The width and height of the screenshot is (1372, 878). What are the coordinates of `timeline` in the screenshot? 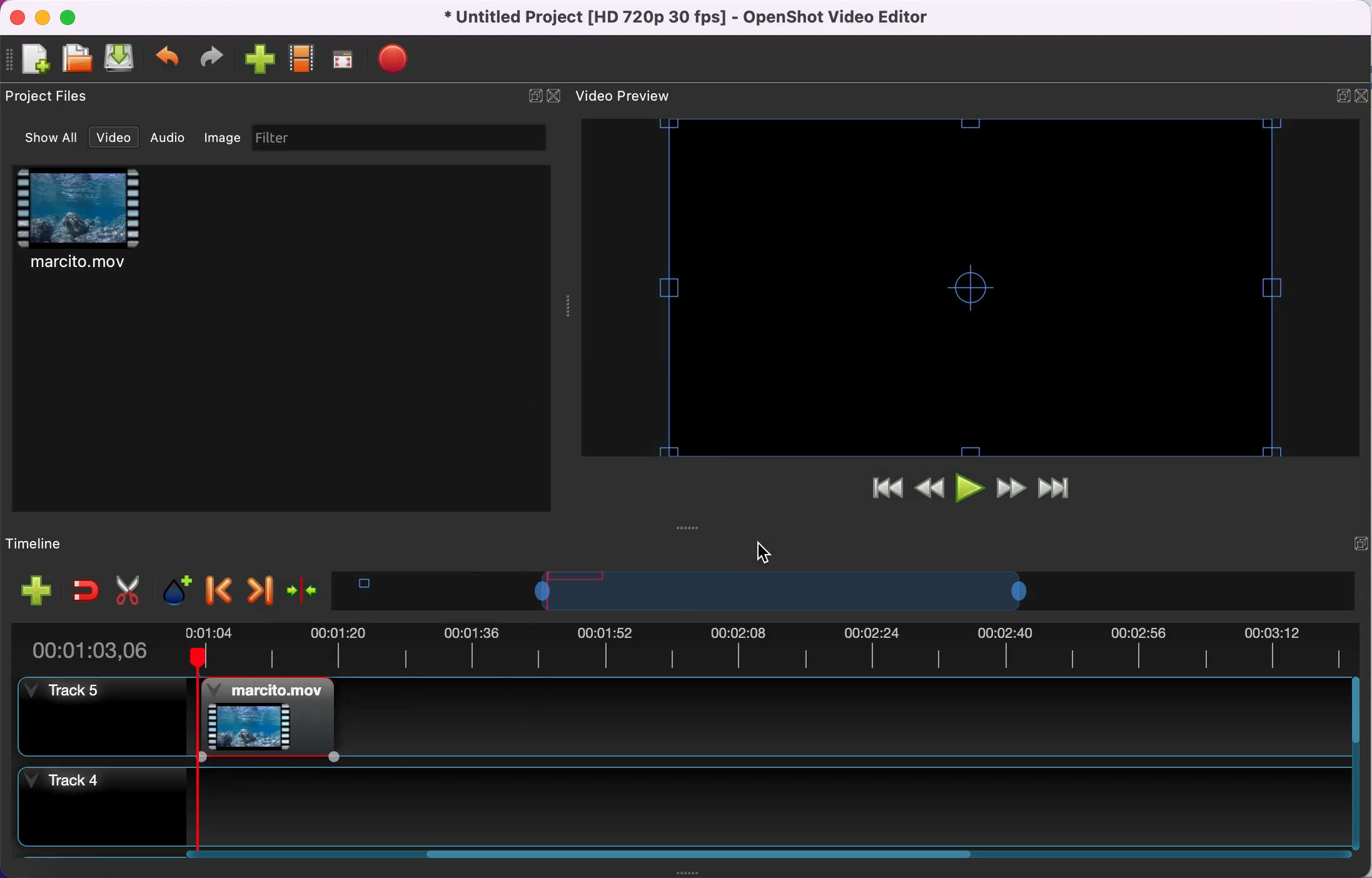 It's located at (53, 545).